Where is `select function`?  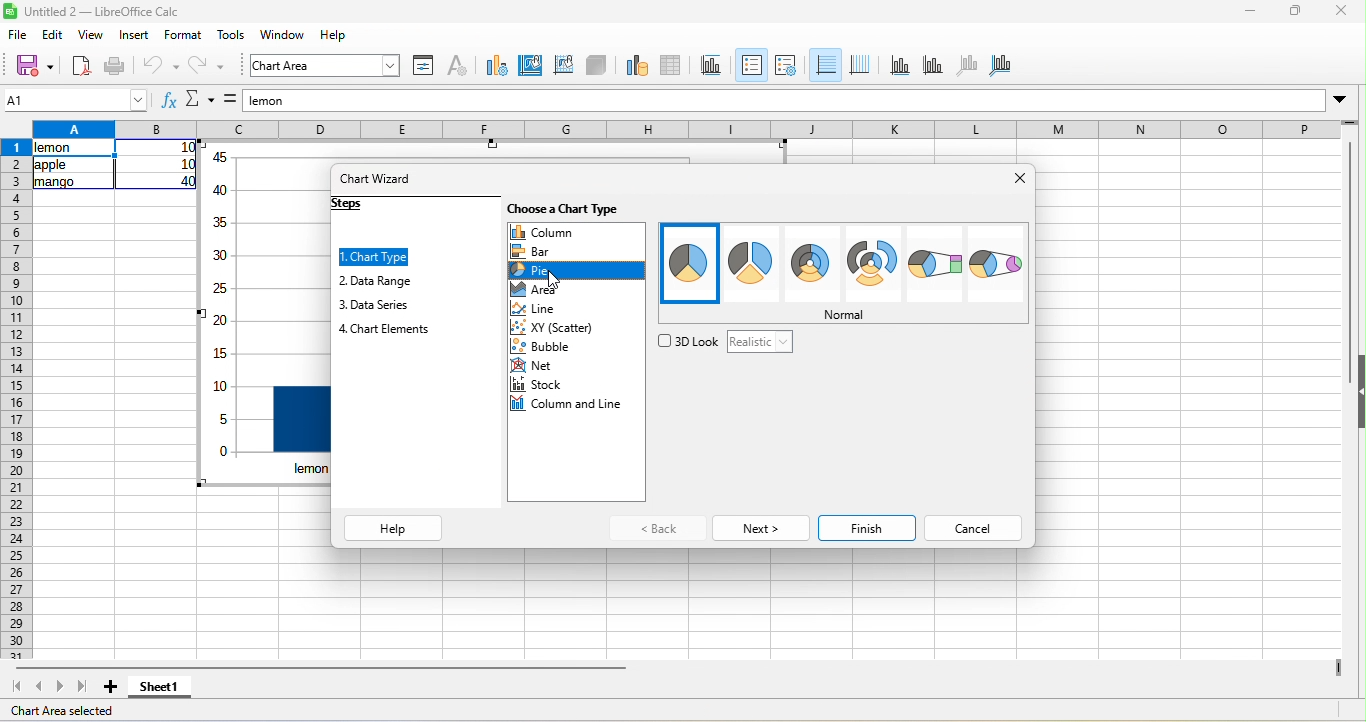 select function is located at coordinates (202, 101).